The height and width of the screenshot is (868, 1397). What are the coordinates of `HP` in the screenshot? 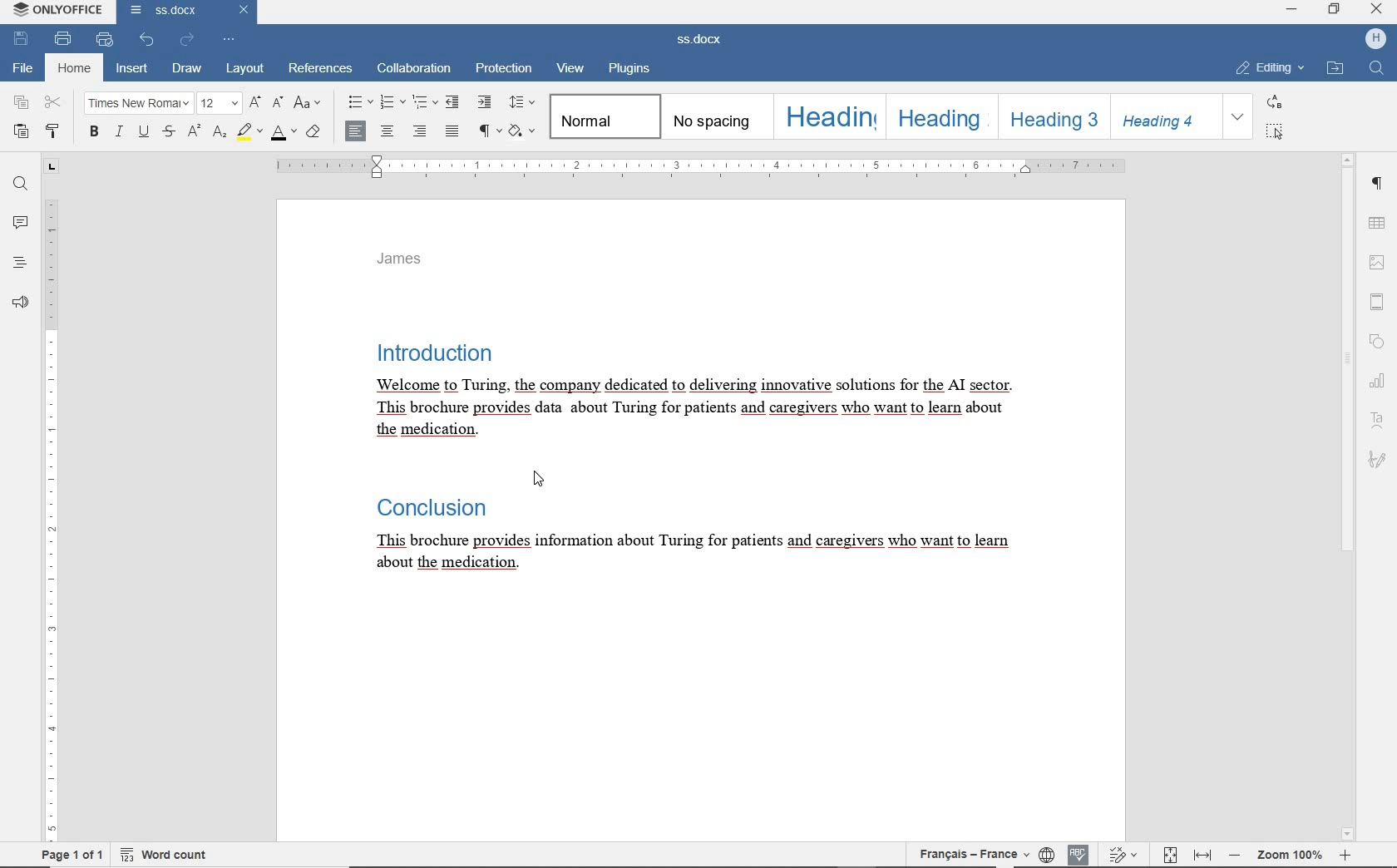 It's located at (1377, 38).